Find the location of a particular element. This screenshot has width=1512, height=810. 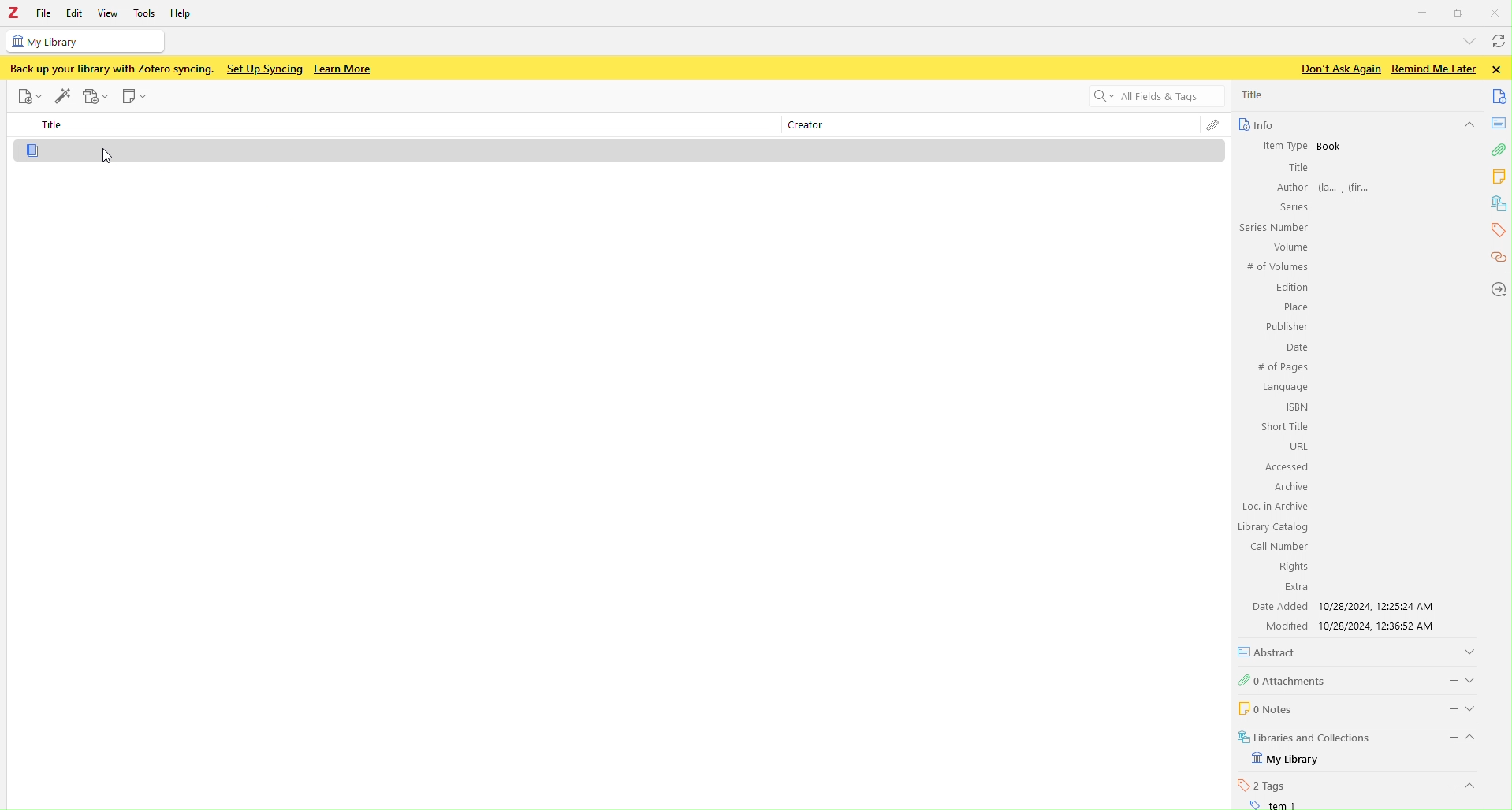

0 Attachments is located at coordinates (1283, 679).